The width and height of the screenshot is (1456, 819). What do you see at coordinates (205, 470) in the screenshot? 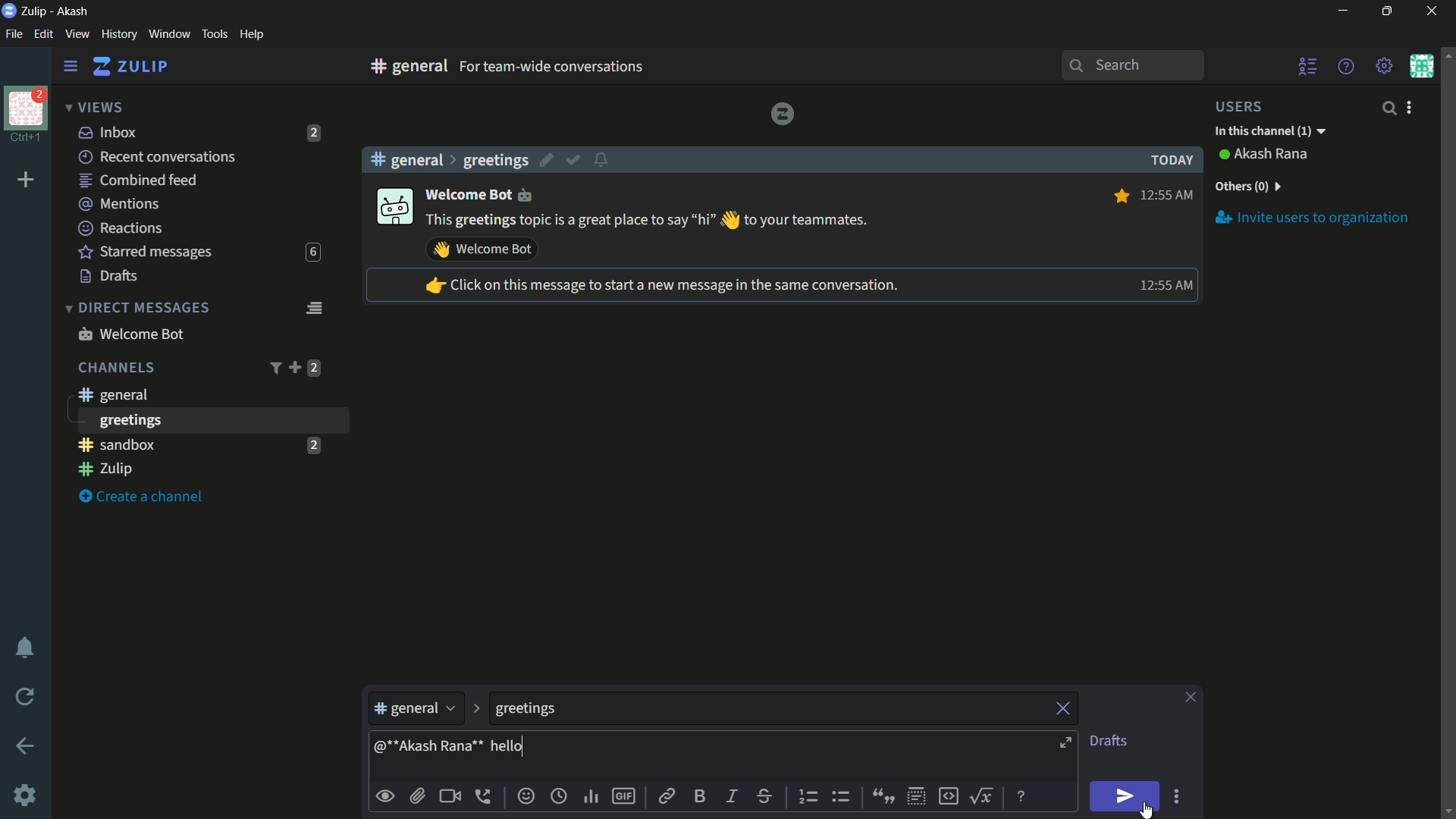
I see `zulip channel` at bounding box center [205, 470].